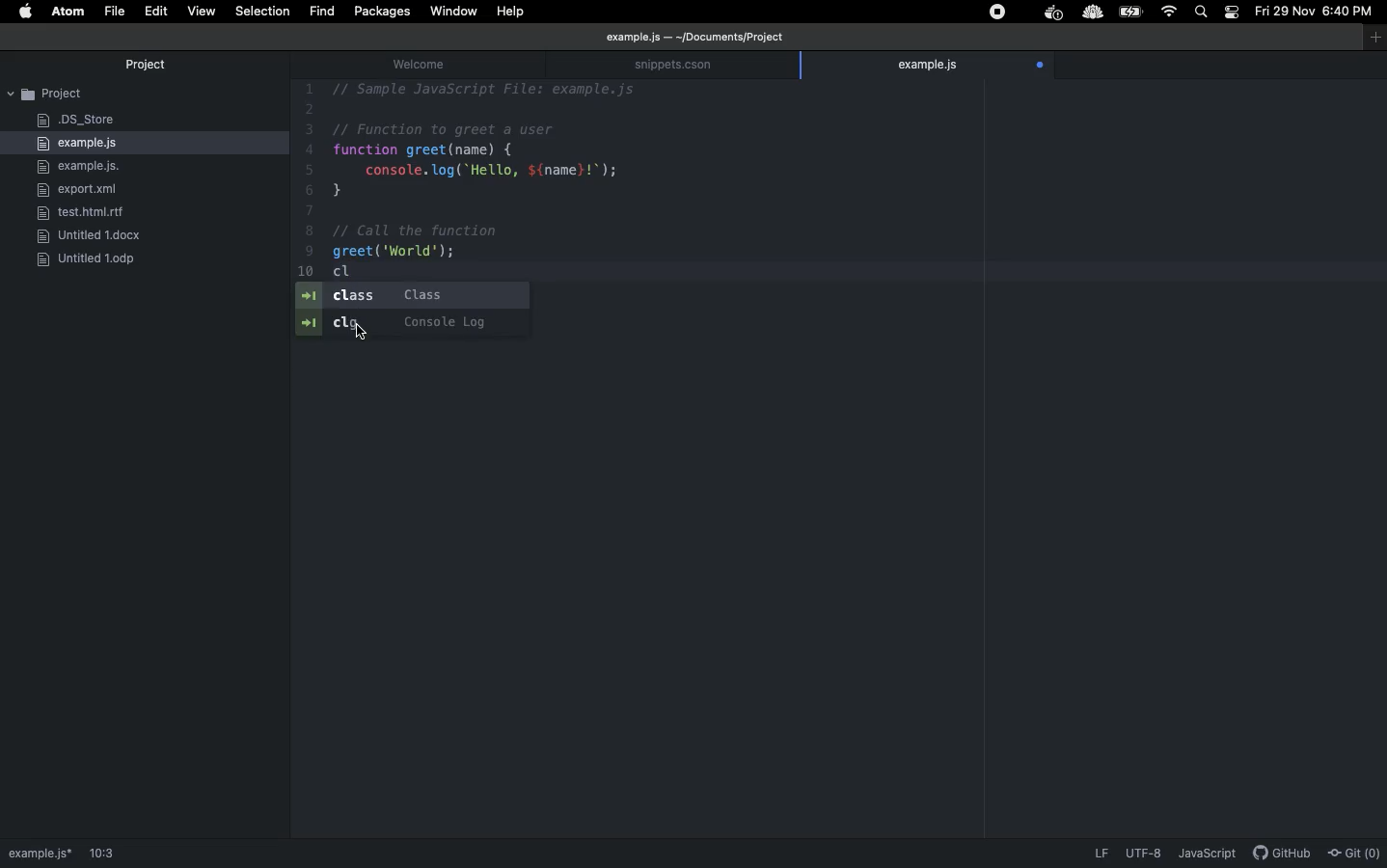 The height and width of the screenshot is (868, 1387). I want to click on Code, so click(509, 170).